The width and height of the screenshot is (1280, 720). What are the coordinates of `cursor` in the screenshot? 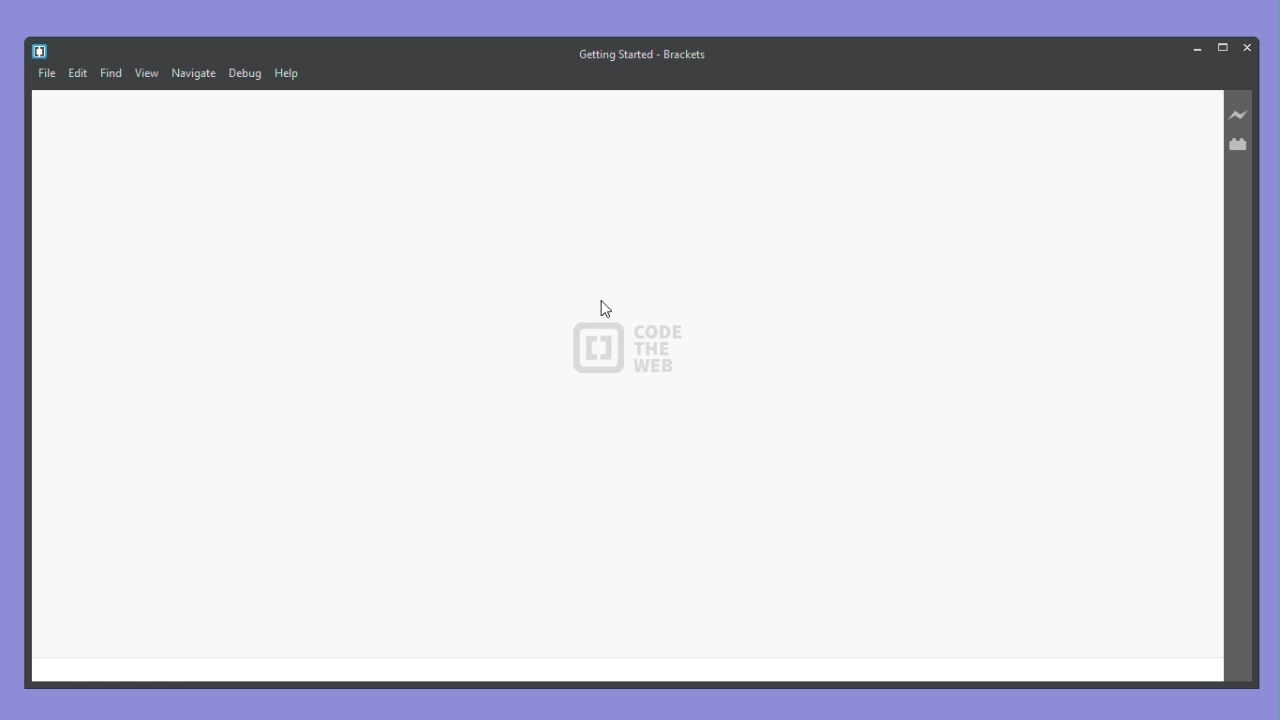 It's located at (606, 308).